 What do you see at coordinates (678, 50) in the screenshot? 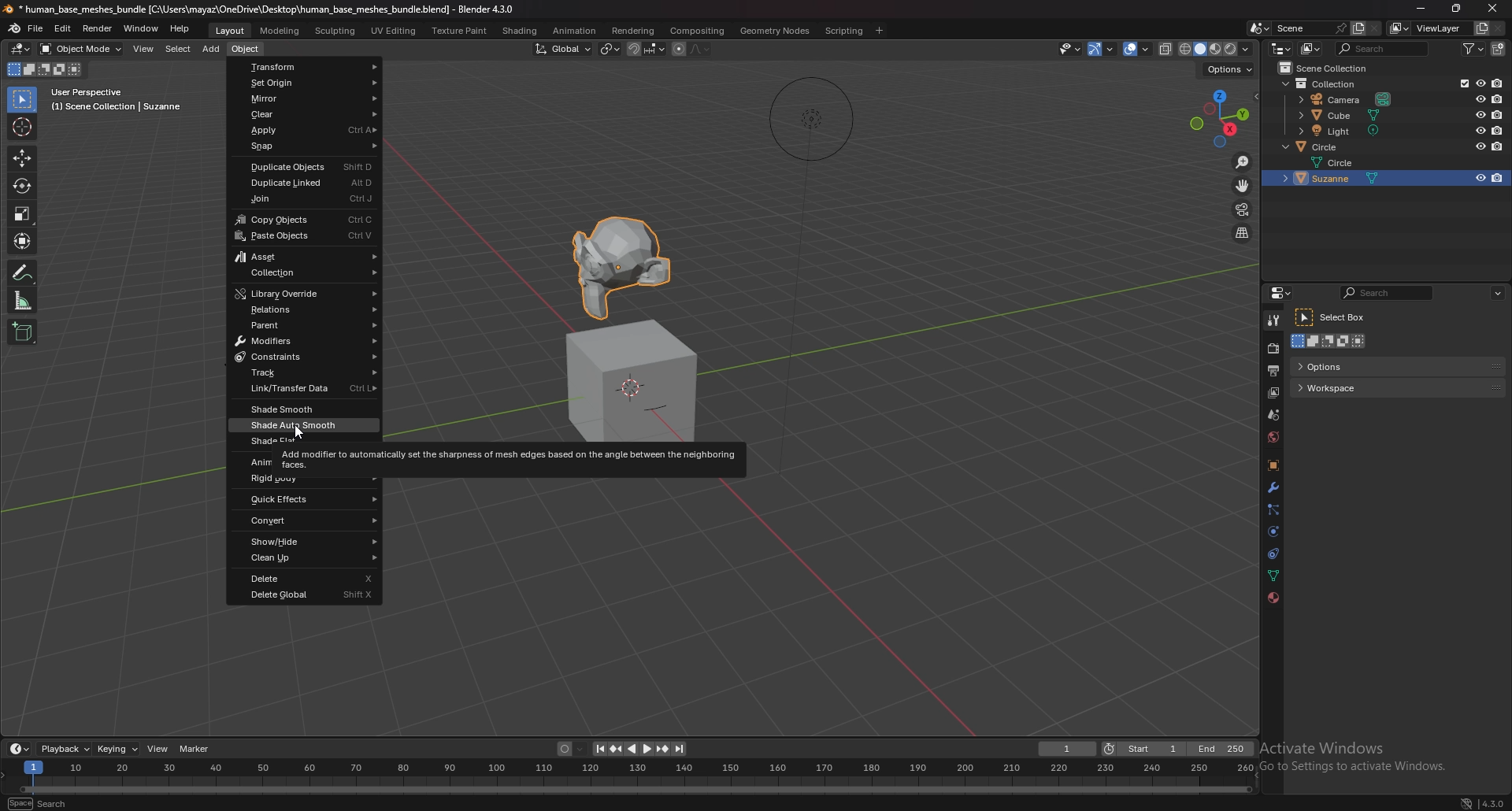
I see `proportional editing objects` at bounding box center [678, 50].